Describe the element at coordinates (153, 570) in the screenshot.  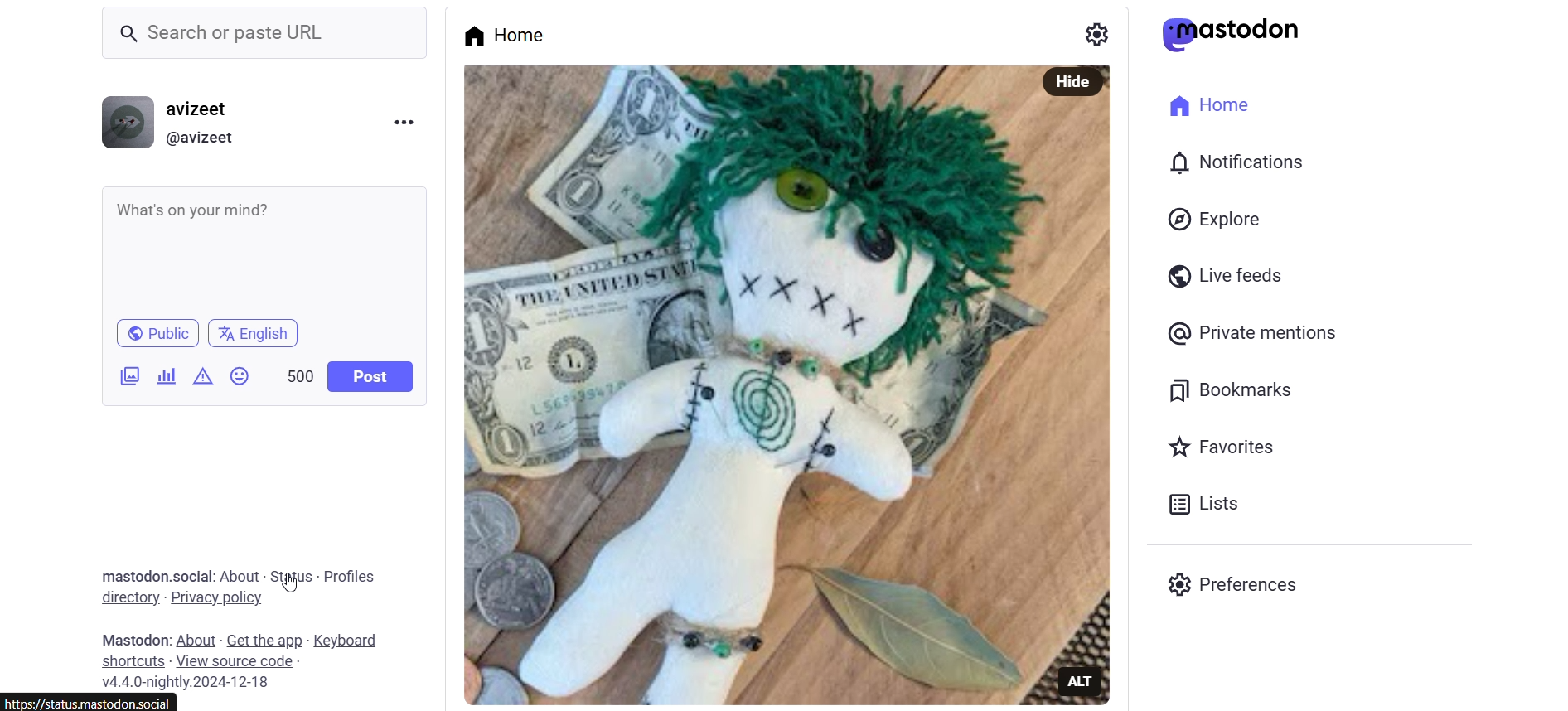
I see `text` at that location.